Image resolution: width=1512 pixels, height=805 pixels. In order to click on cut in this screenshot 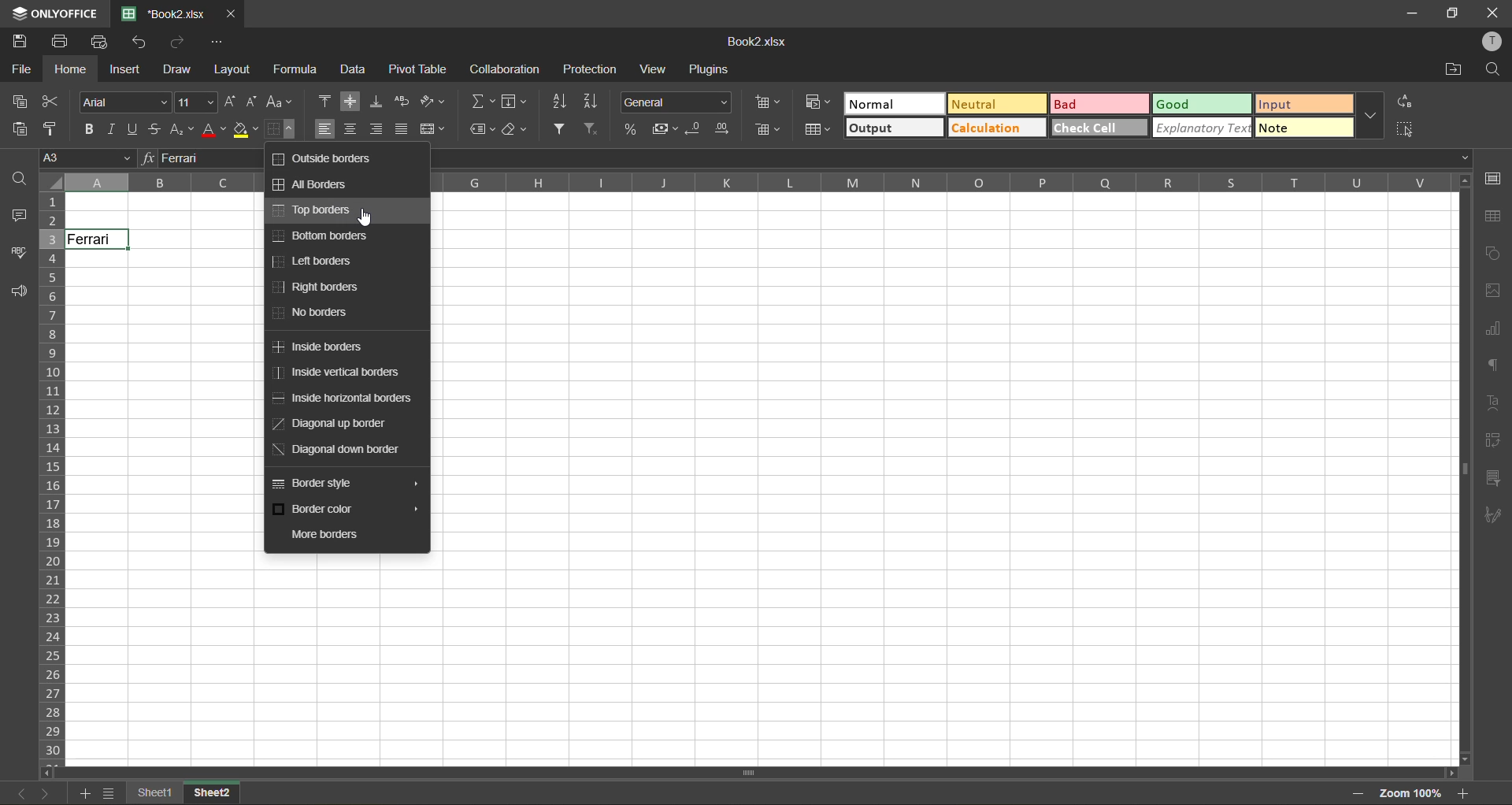, I will do `click(53, 101)`.